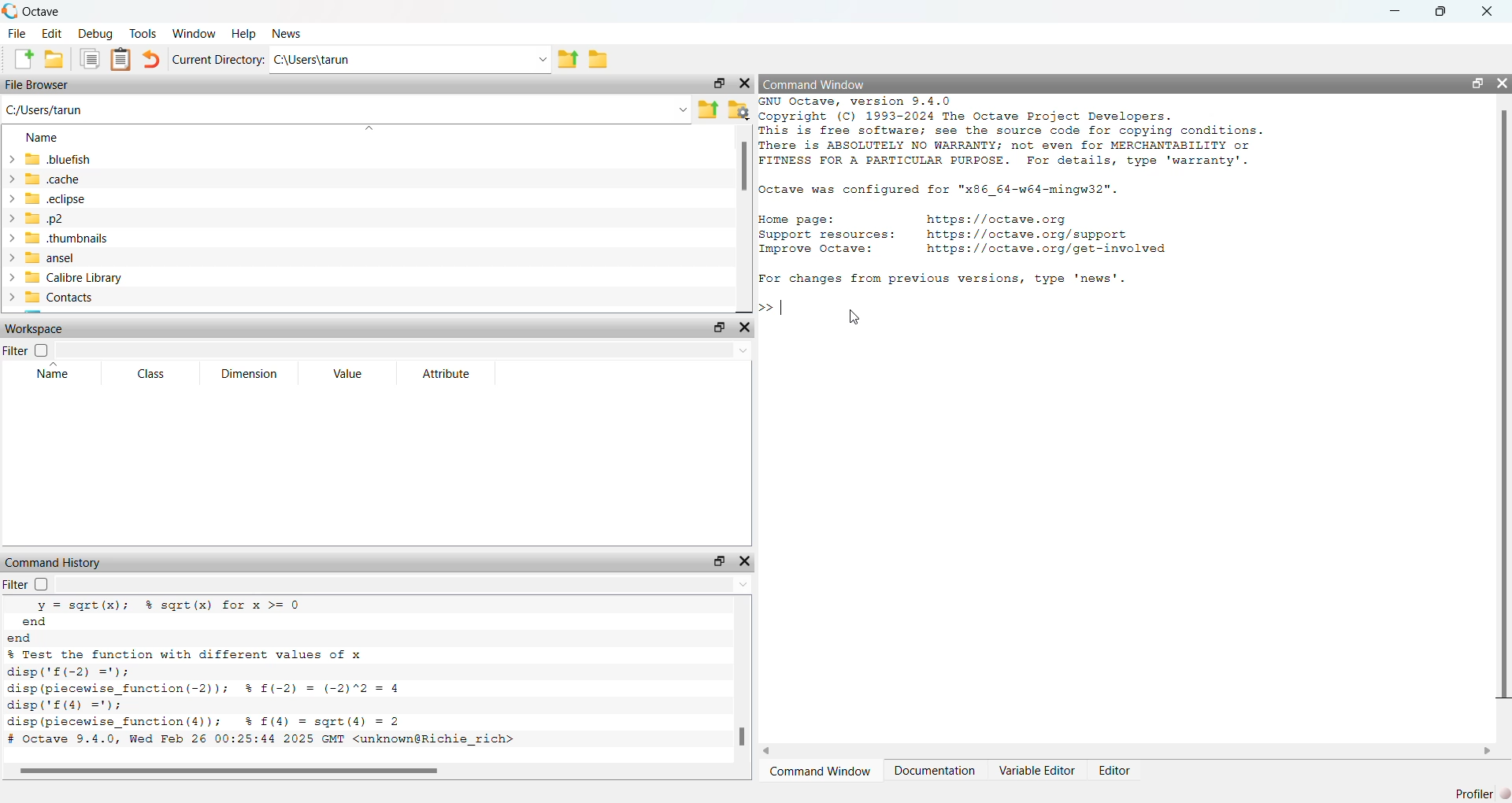  What do you see at coordinates (151, 60) in the screenshot?
I see `Undo` at bounding box center [151, 60].